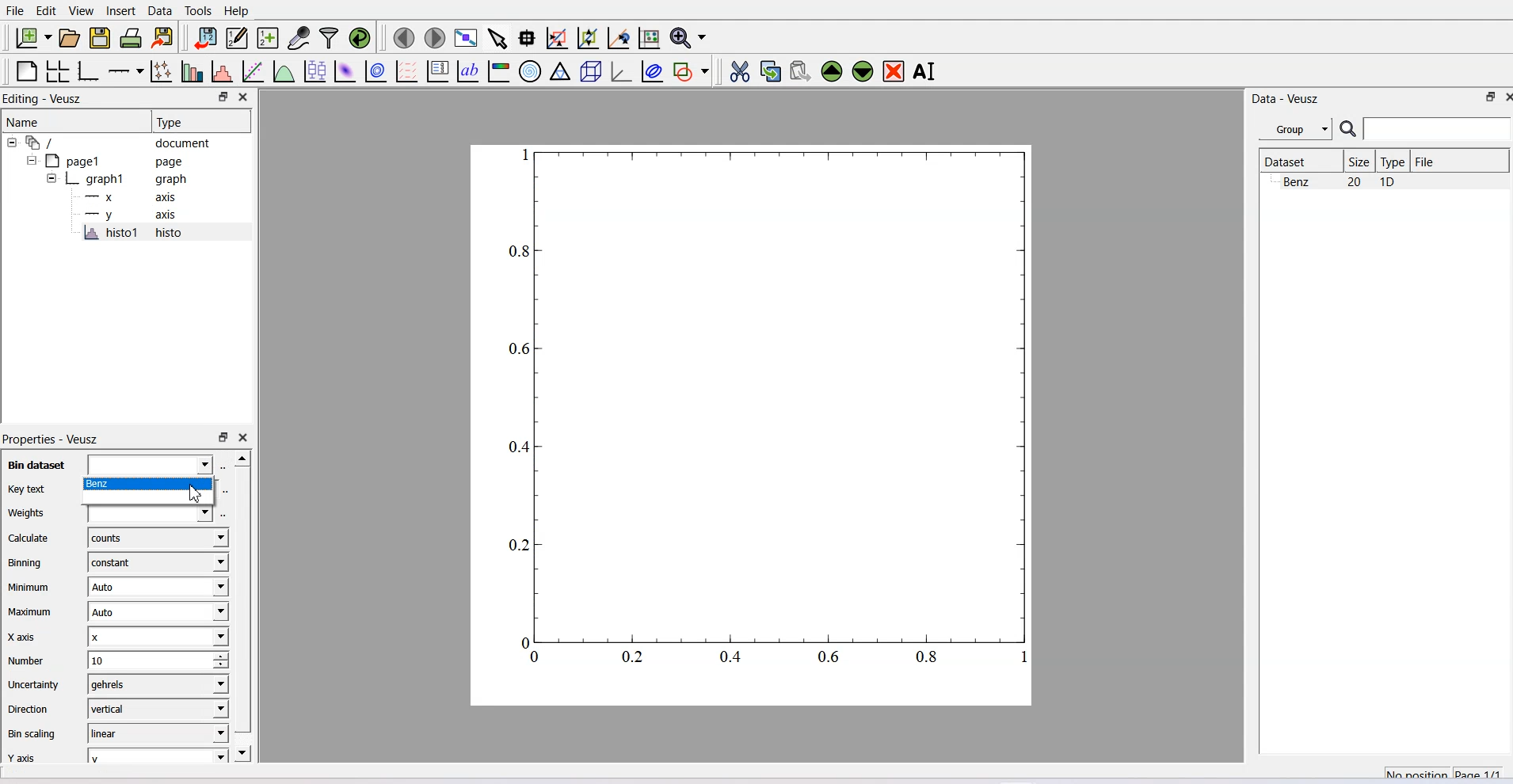 The height and width of the screenshot is (784, 1513). Describe the element at coordinates (764, 418) in the screenshot. I see `Graph Window` at that location.